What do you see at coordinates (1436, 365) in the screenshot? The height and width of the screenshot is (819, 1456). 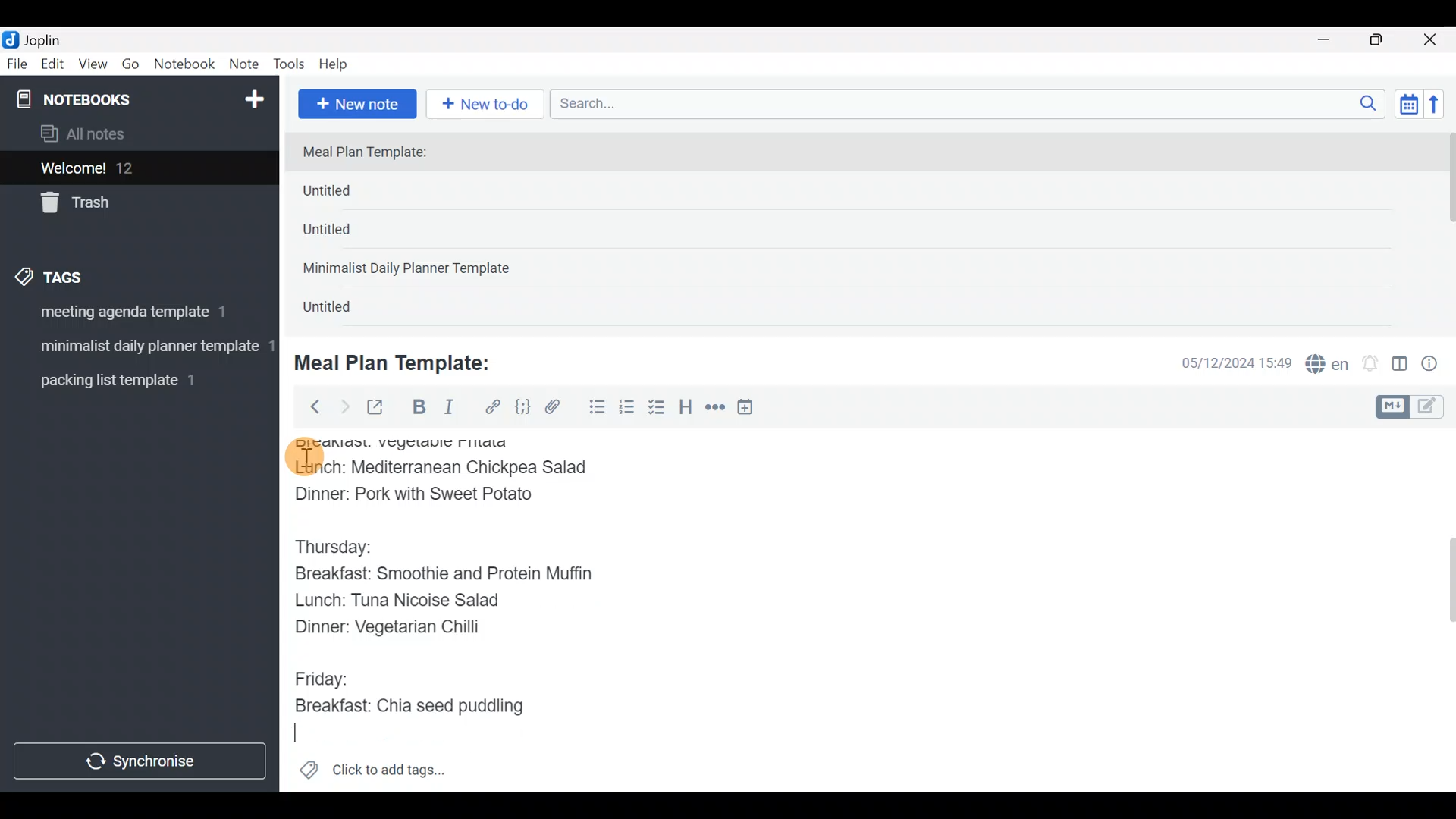 I see `Note properties` at bounding box center [1436, 365].